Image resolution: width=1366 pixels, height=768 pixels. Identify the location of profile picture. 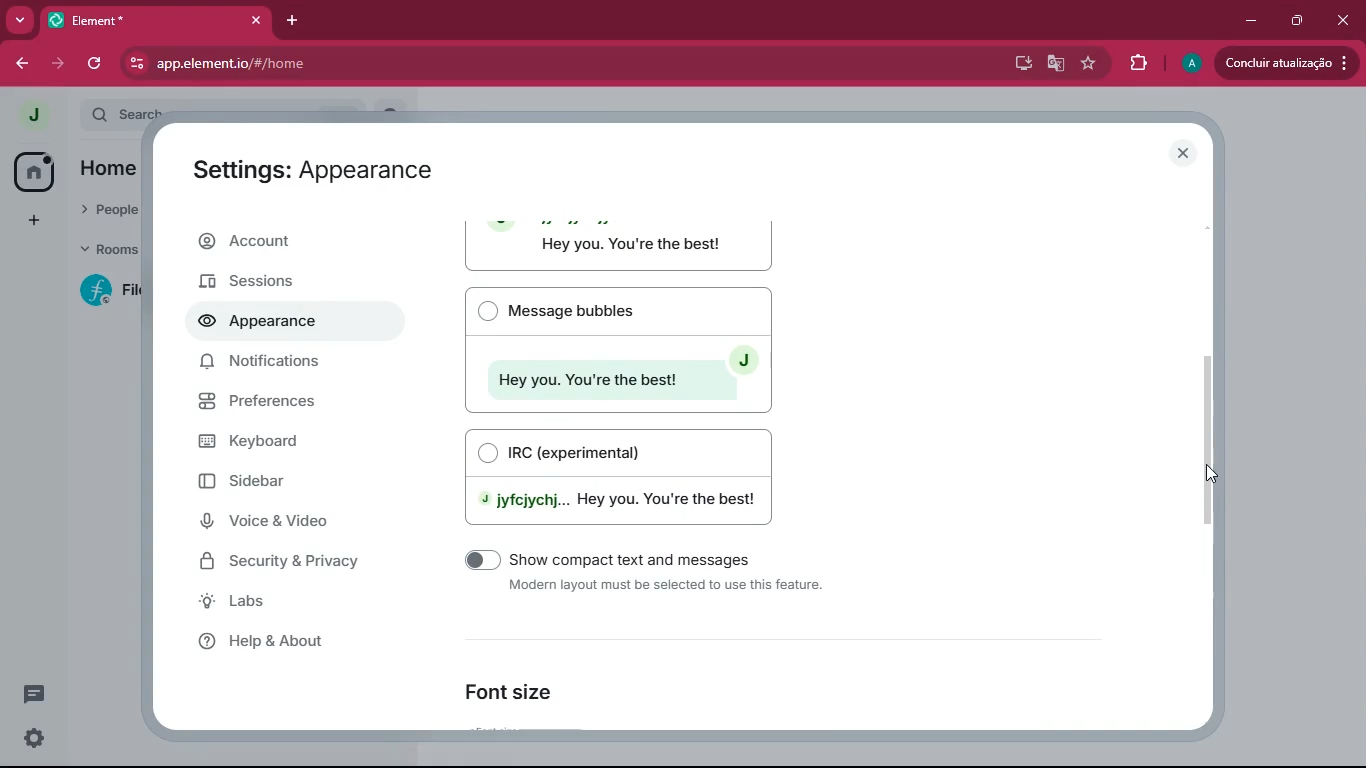
(31, 114).